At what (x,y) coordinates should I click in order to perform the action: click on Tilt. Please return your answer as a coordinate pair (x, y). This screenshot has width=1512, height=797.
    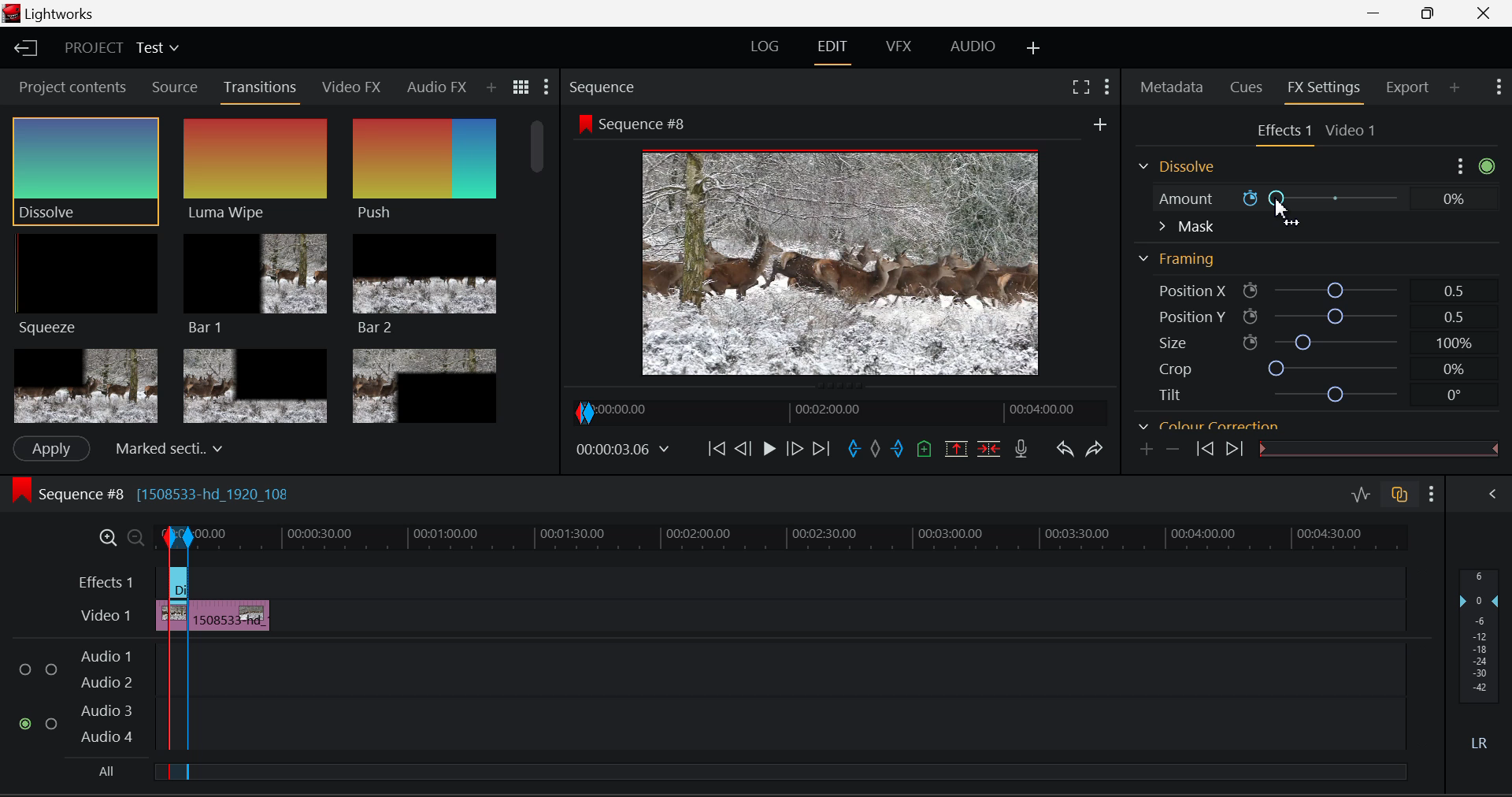
    Looking at the image, I should click on (1303, 394).